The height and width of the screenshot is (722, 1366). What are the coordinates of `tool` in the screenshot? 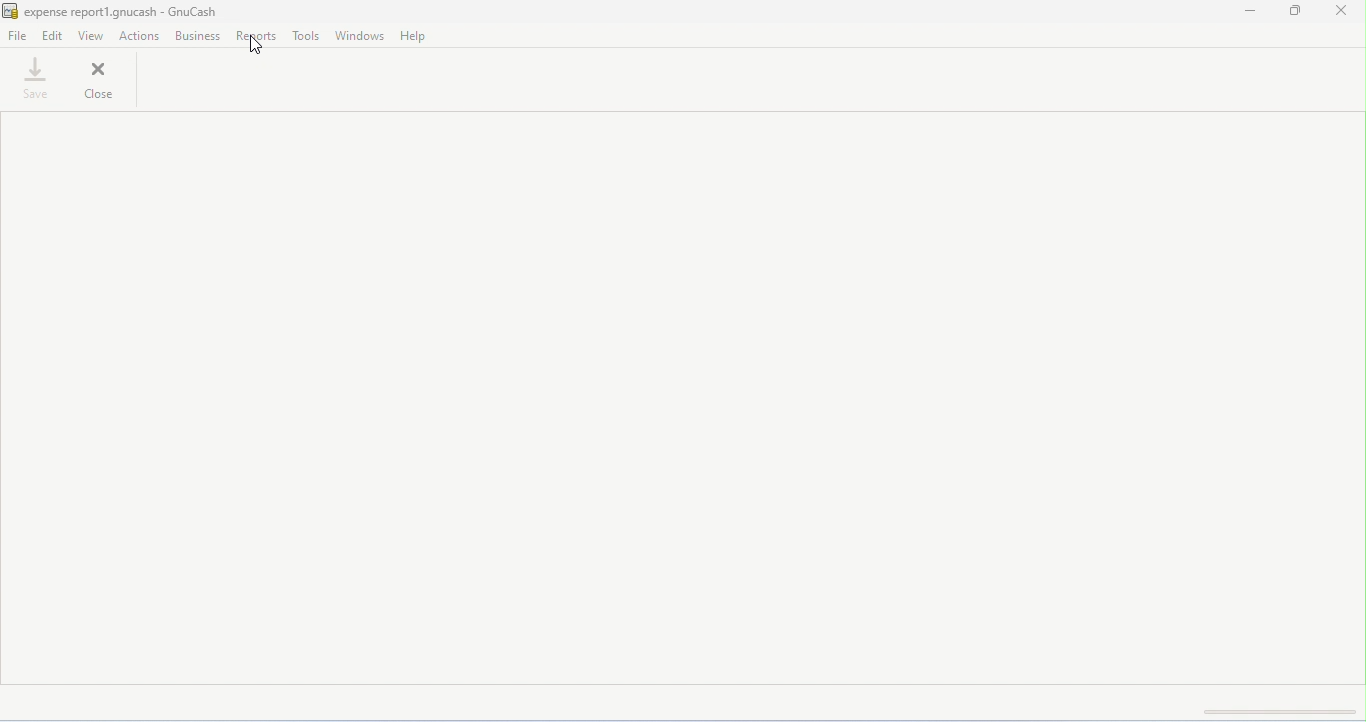 It's located at (306, 36).